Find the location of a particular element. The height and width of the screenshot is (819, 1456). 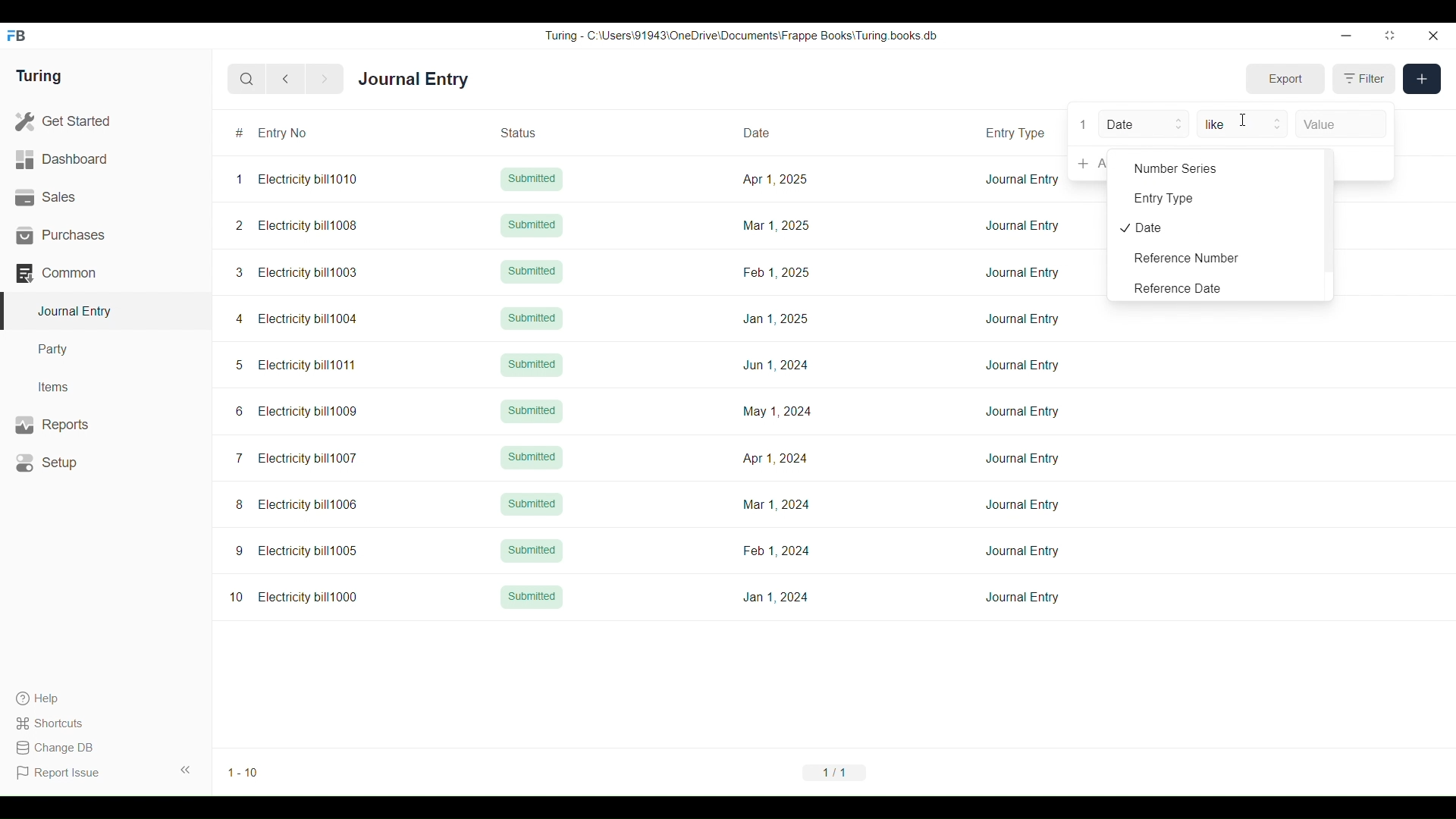

# Entry No is located at coordinates (303, 133).